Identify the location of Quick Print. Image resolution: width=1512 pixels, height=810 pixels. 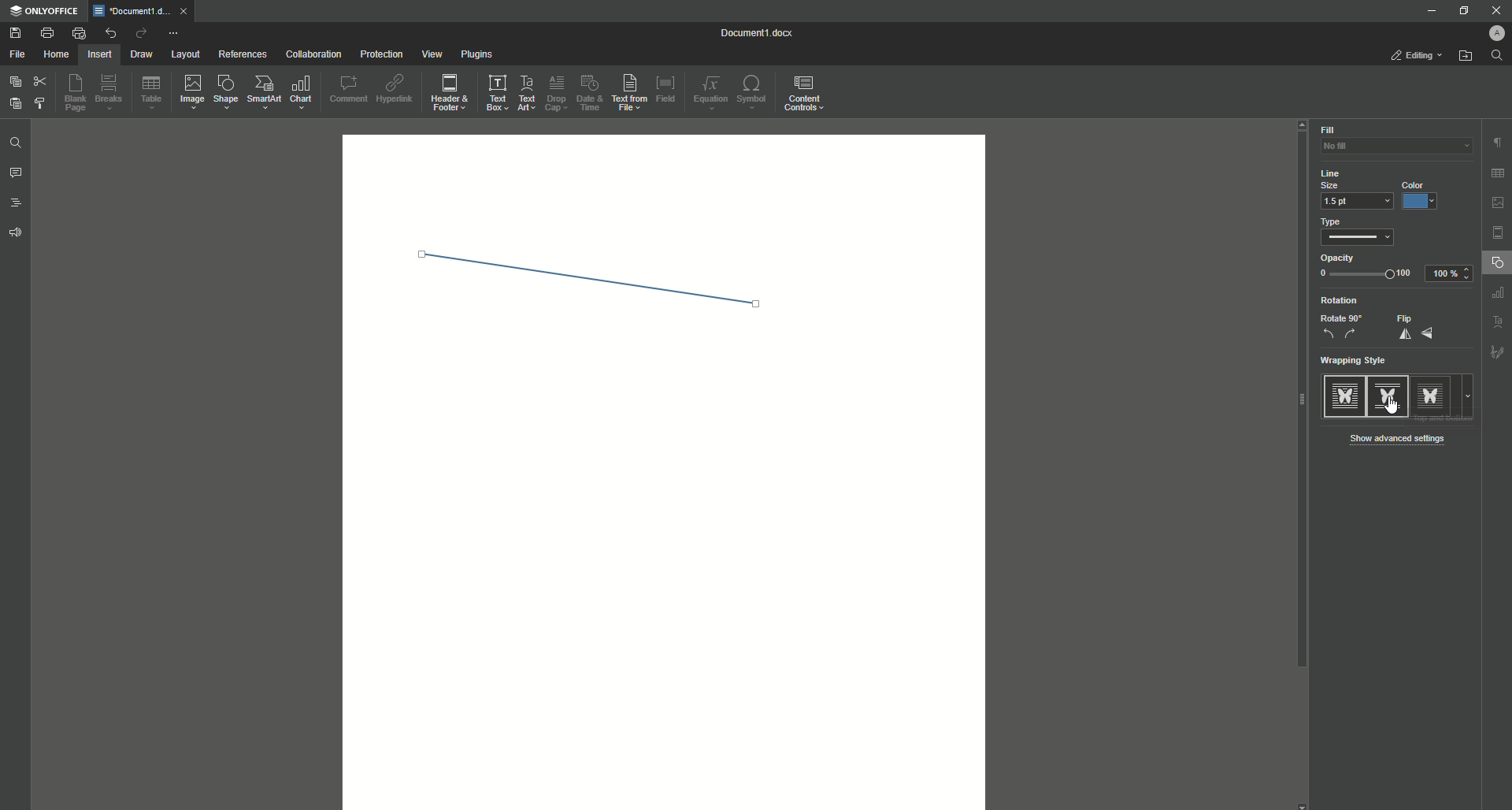
(78, 32).